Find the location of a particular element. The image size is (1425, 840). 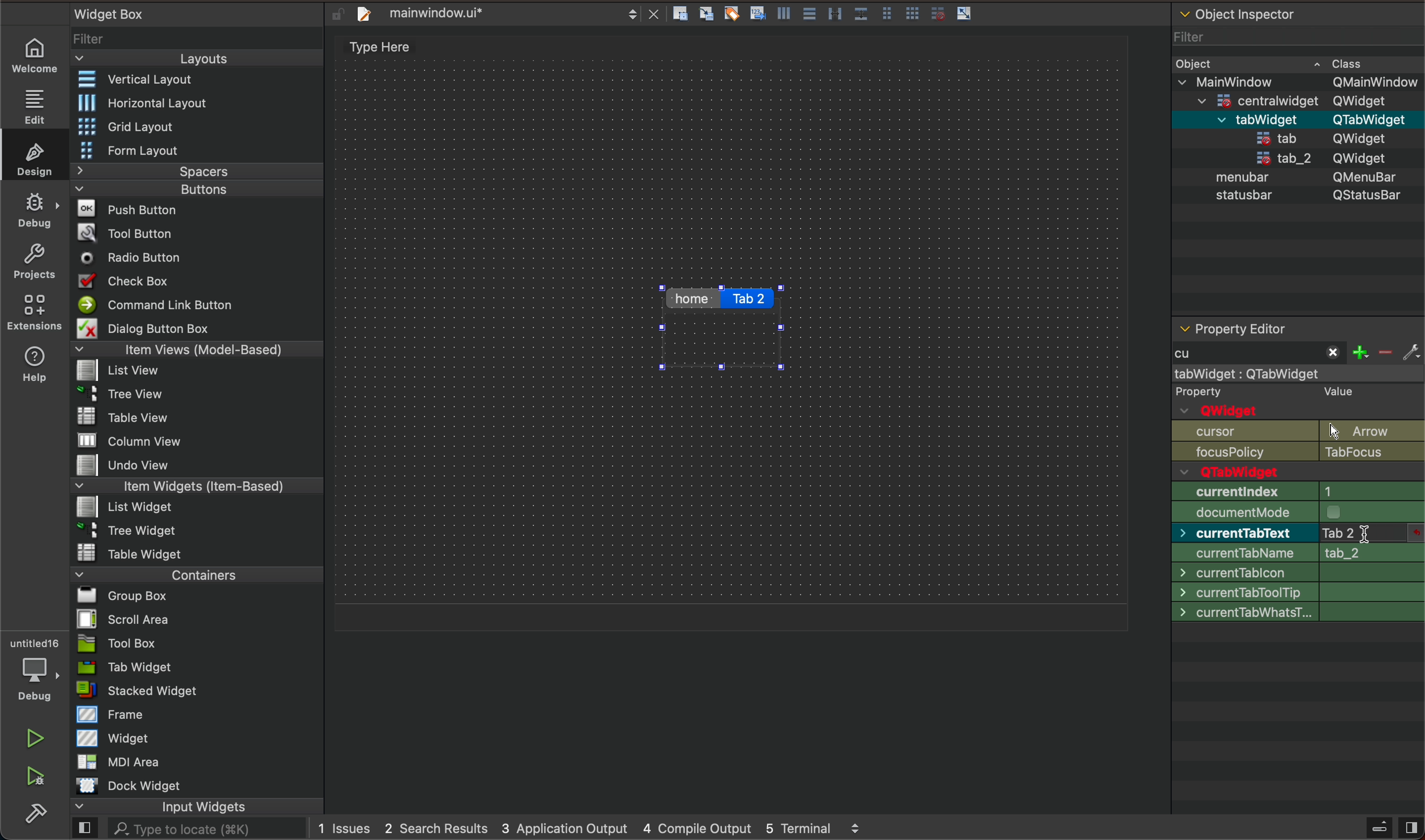

=centralwidaet OWidaet is located at coordinates (1294, 98).